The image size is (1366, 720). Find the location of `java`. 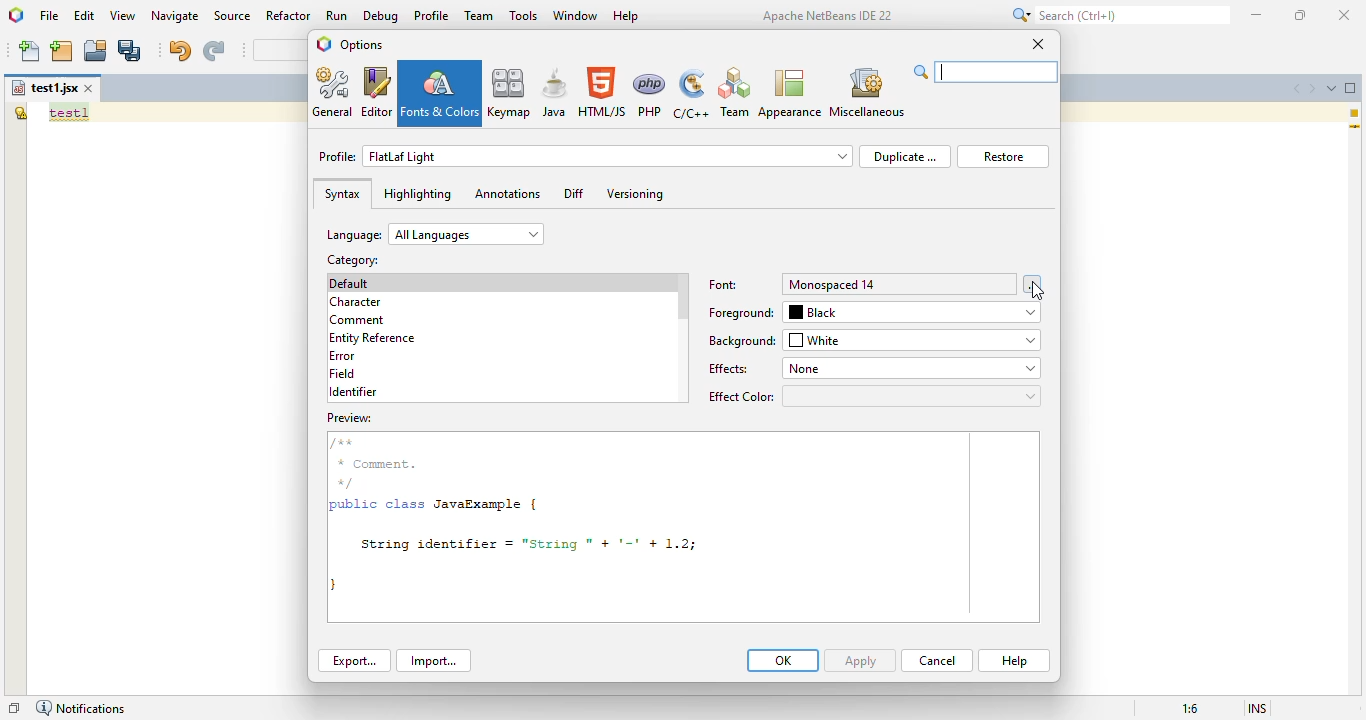

java is located at coordinates (554, 93).